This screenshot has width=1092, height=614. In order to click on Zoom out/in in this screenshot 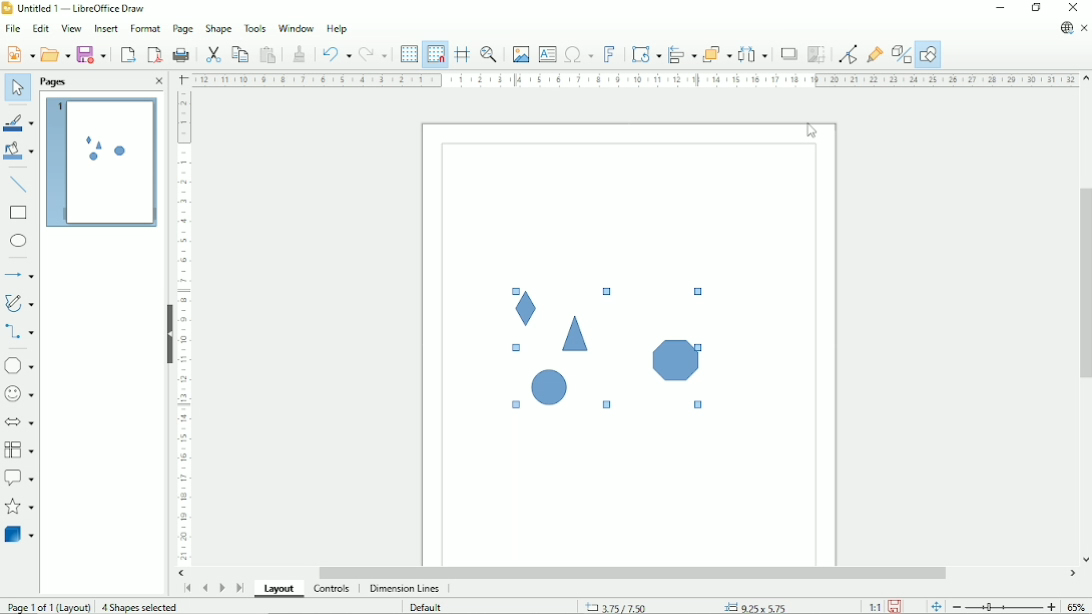, I will do `click(1003, 607)`.